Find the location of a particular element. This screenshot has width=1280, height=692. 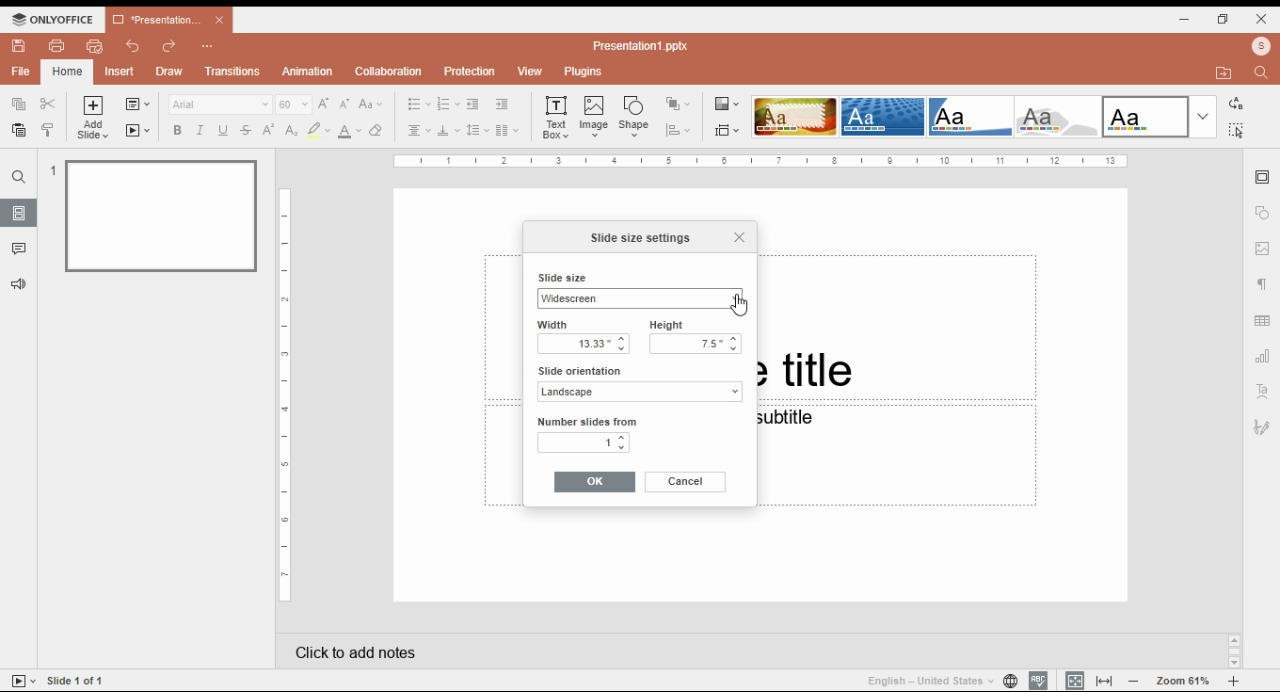

more slide theme options is located at coordinates (1203, 117).